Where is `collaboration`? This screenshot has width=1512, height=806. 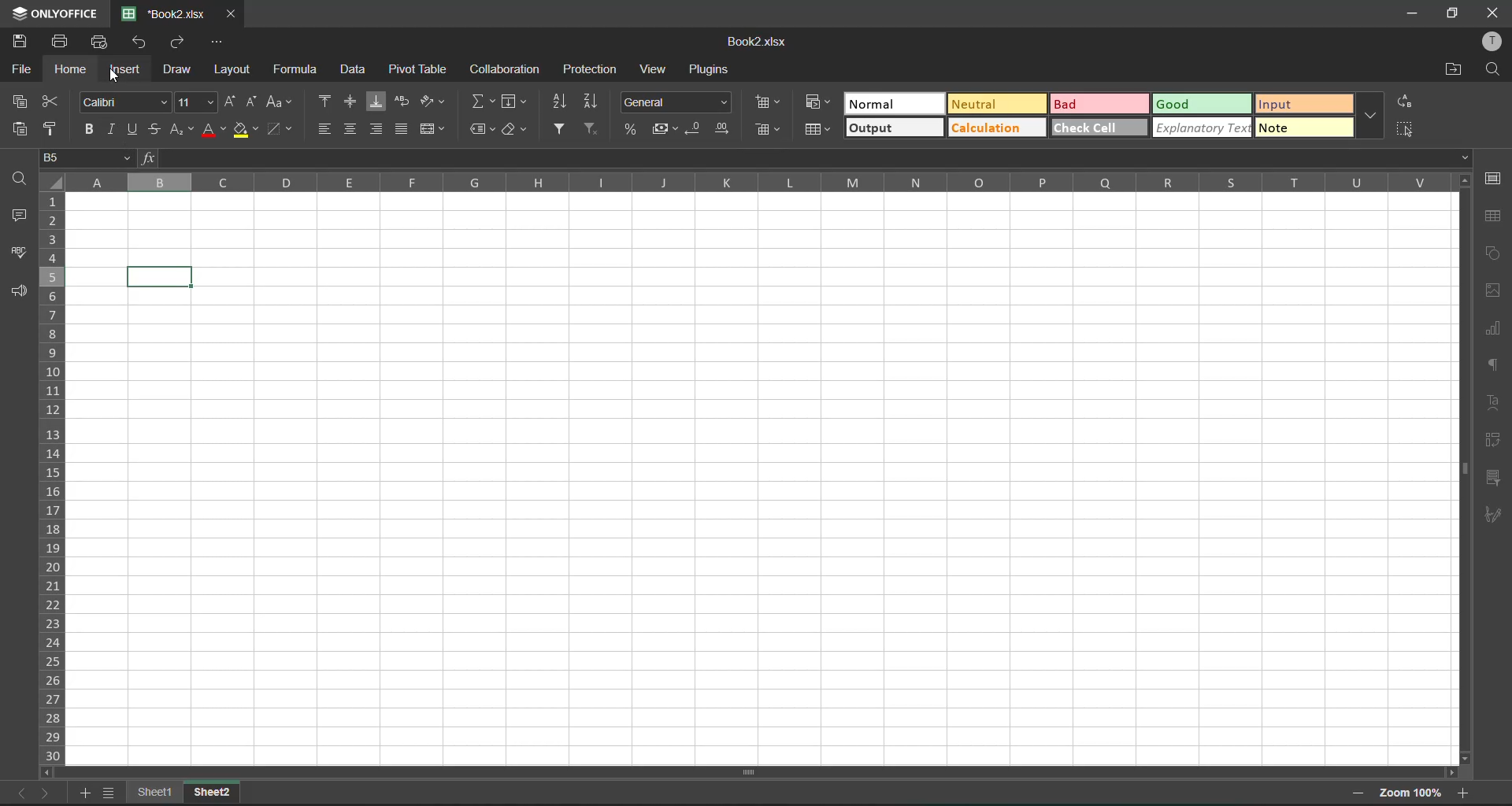
collaboration is located at coordinates (505, 68).